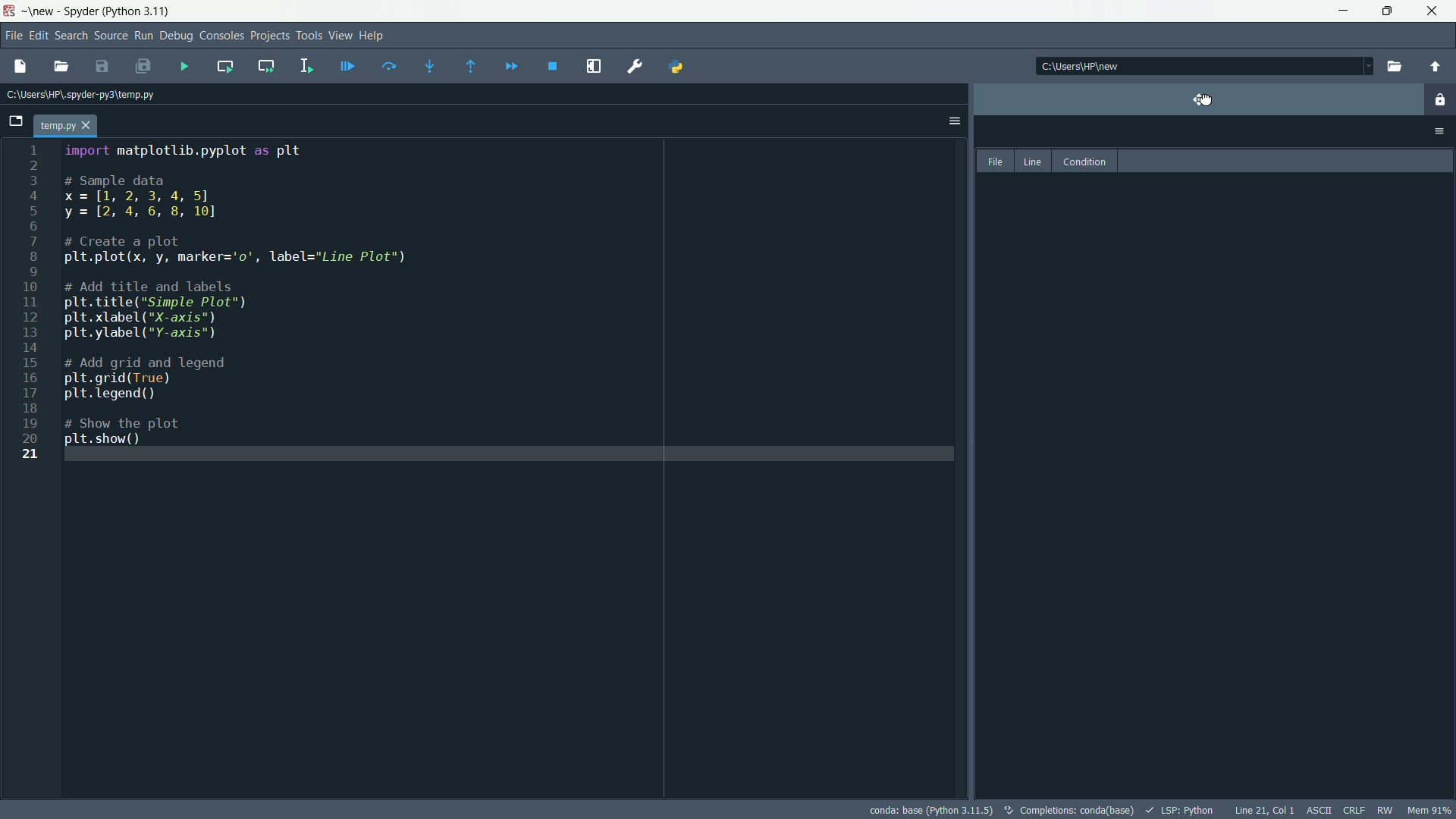 The height and width of the screenshot is (819, 1456). I want to click on cursor, so click(1210, 101).